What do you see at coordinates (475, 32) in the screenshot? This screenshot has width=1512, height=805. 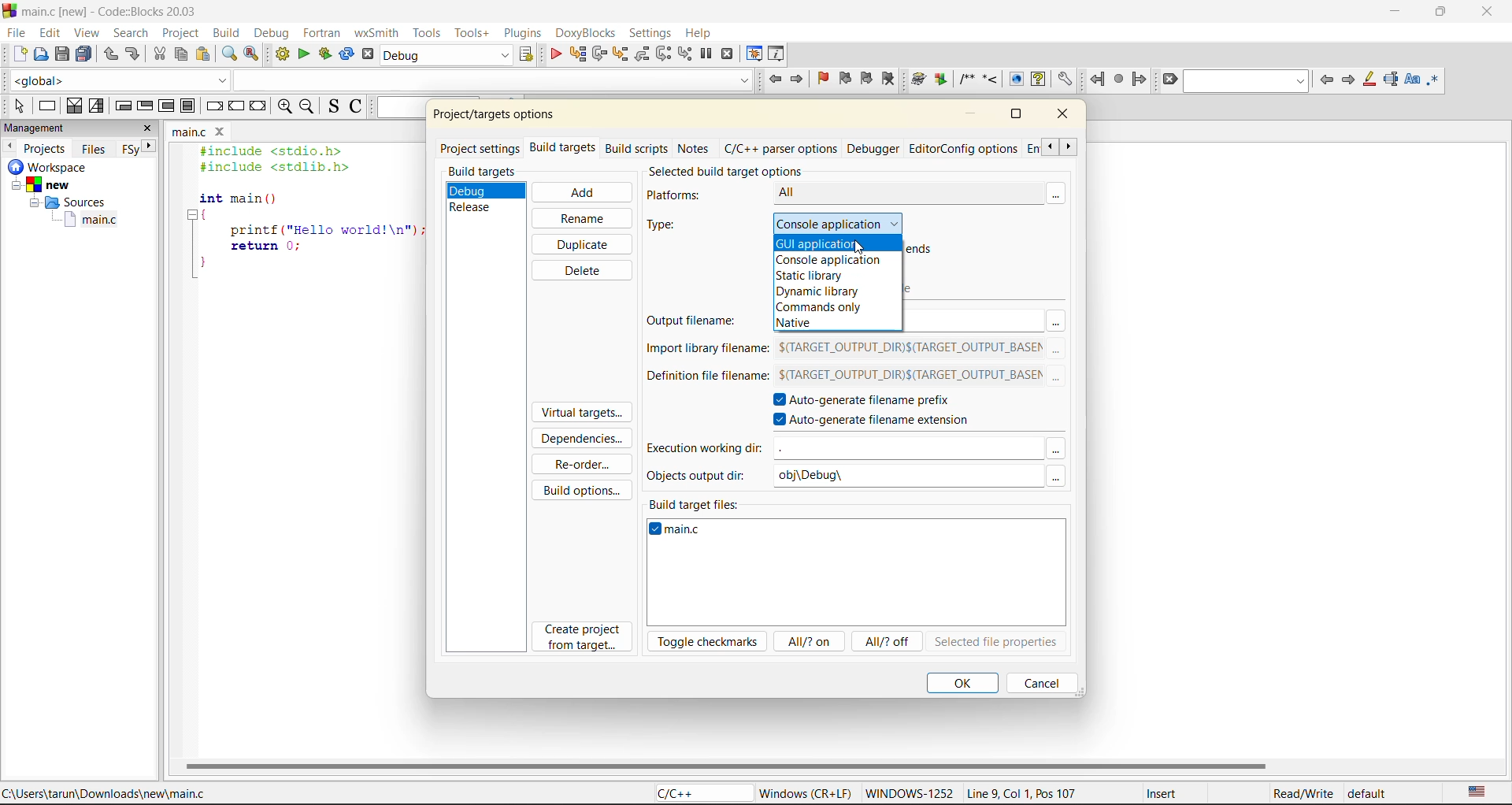 I see `tools` at bounding box center [475, 32].